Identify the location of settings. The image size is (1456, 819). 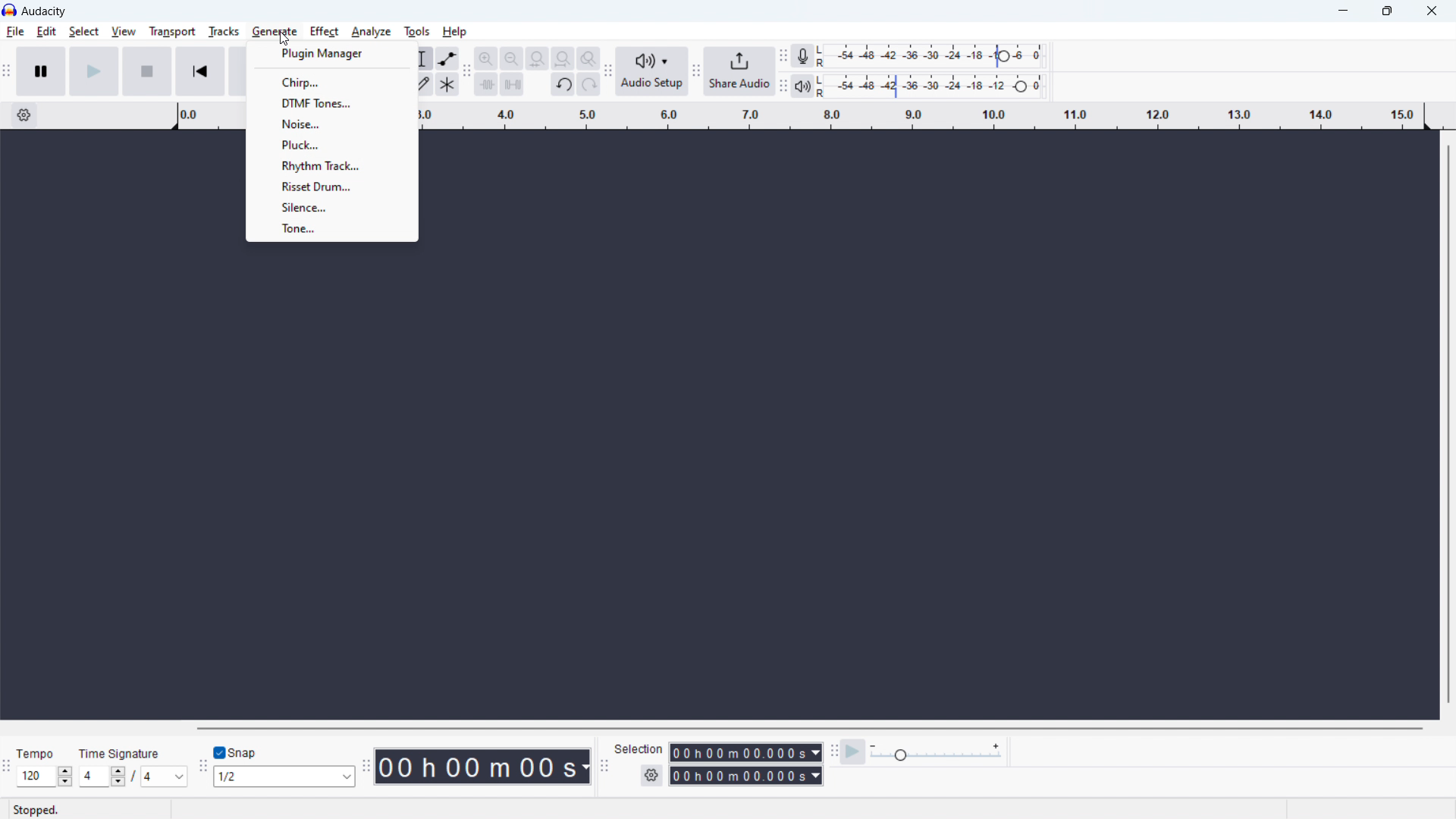
(651, 776).